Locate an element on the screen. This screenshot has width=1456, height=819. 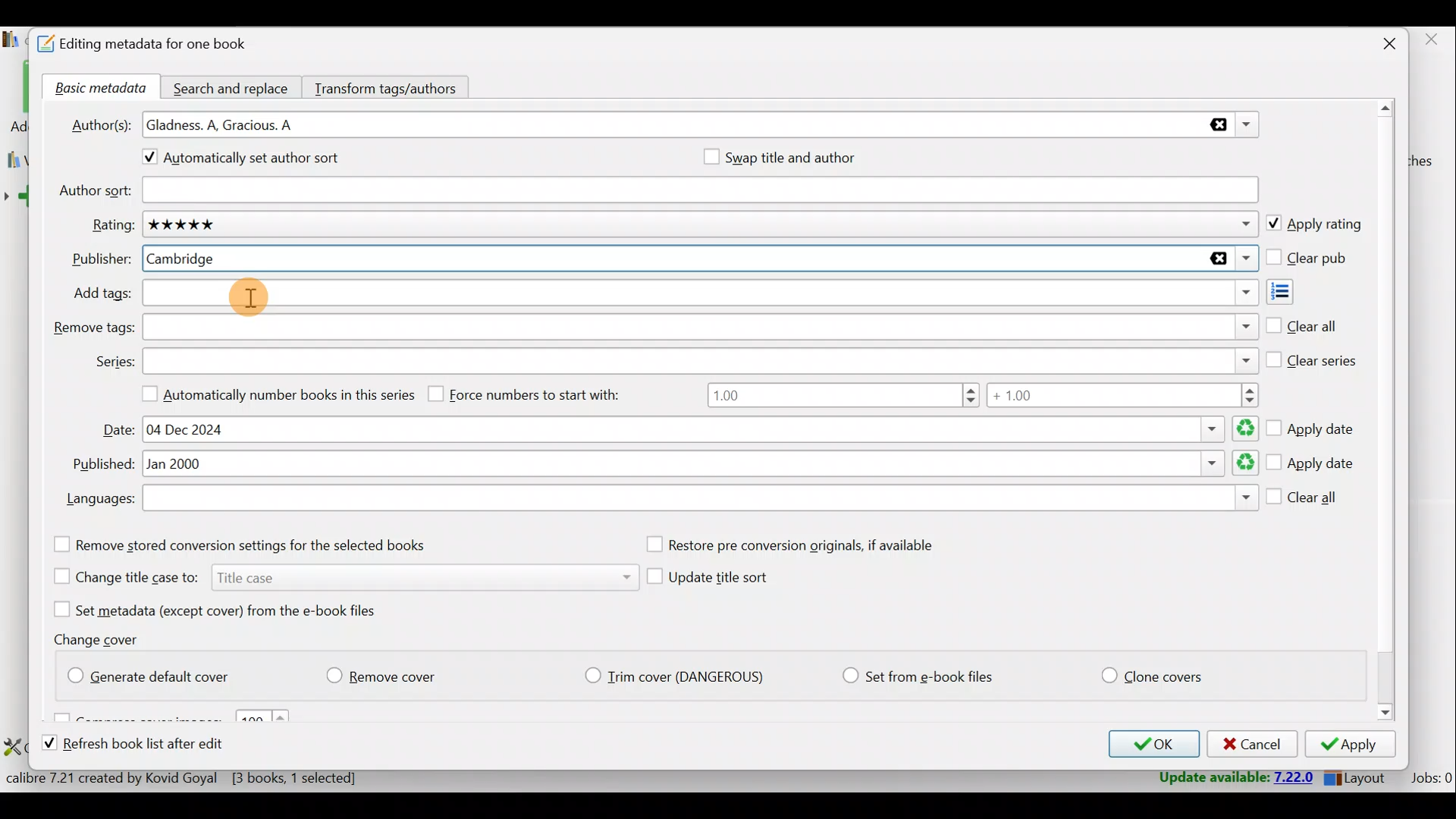
Layout is located at coordinates (1358, 775).